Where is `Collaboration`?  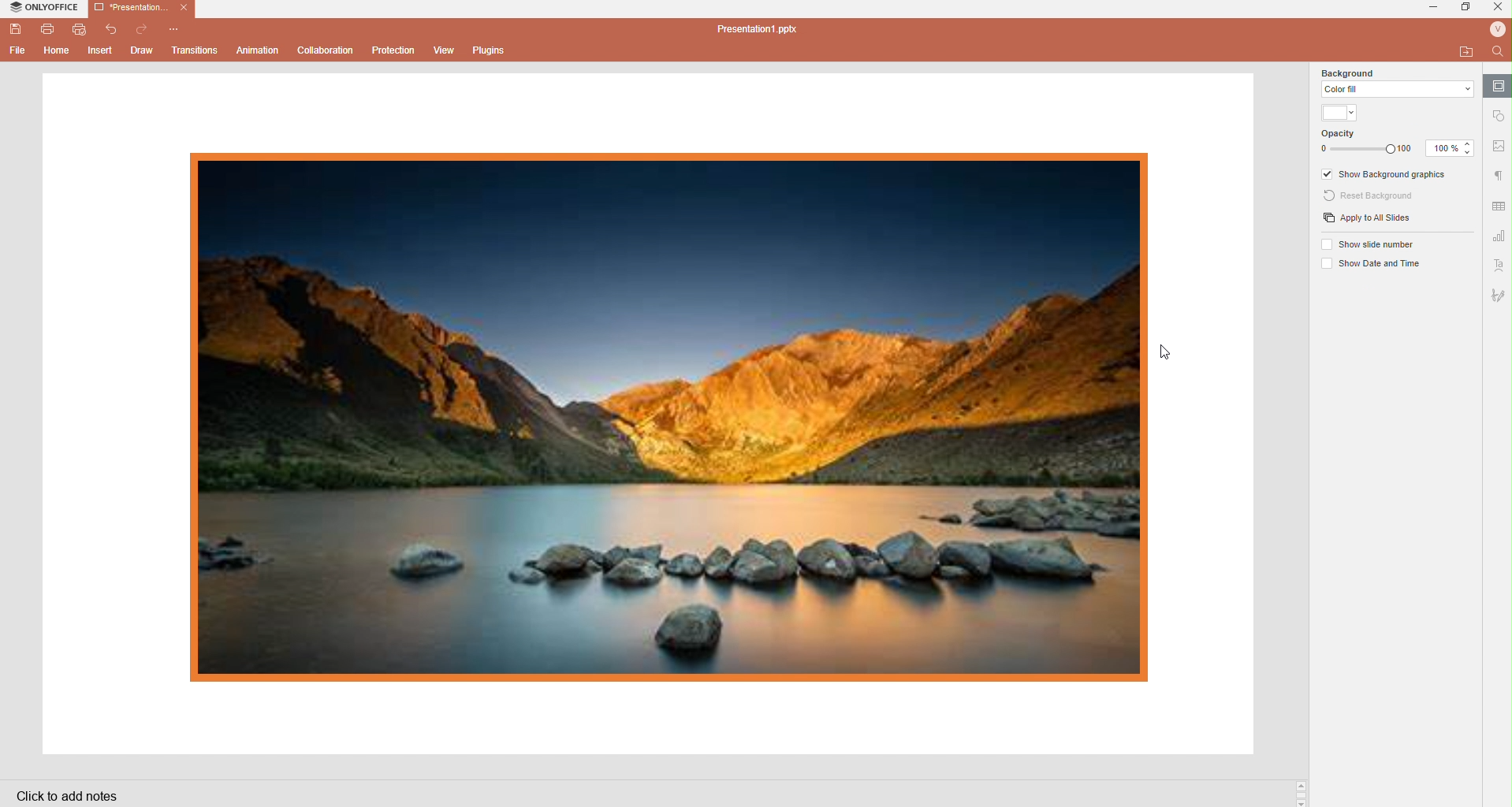
Collaboration is located at coordinates (326, 50).